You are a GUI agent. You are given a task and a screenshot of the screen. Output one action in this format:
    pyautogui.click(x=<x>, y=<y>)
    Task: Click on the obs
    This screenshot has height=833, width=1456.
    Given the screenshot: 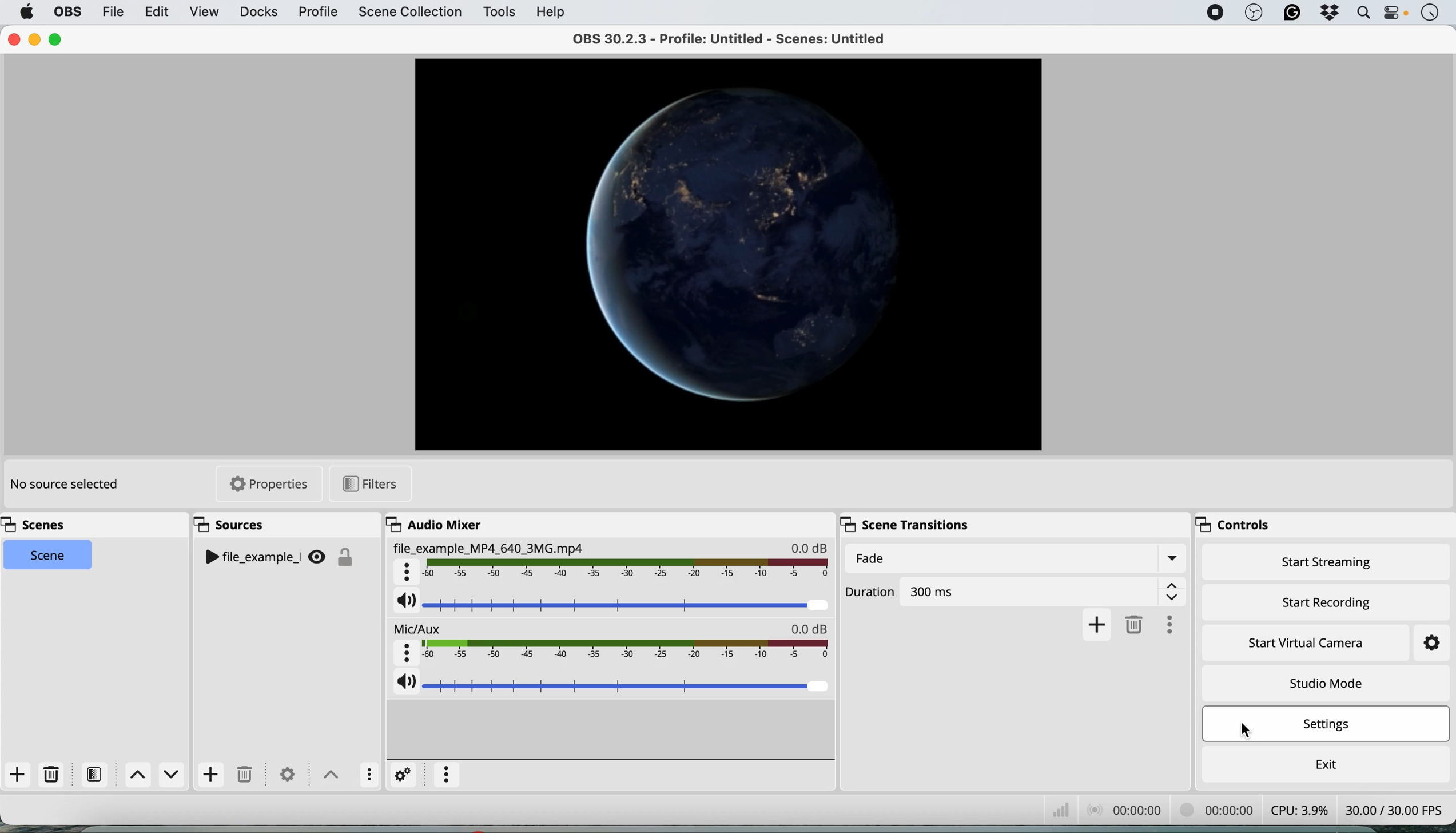 What is the action you would take?
    pyautogui.click(x=1252, y=13)
    